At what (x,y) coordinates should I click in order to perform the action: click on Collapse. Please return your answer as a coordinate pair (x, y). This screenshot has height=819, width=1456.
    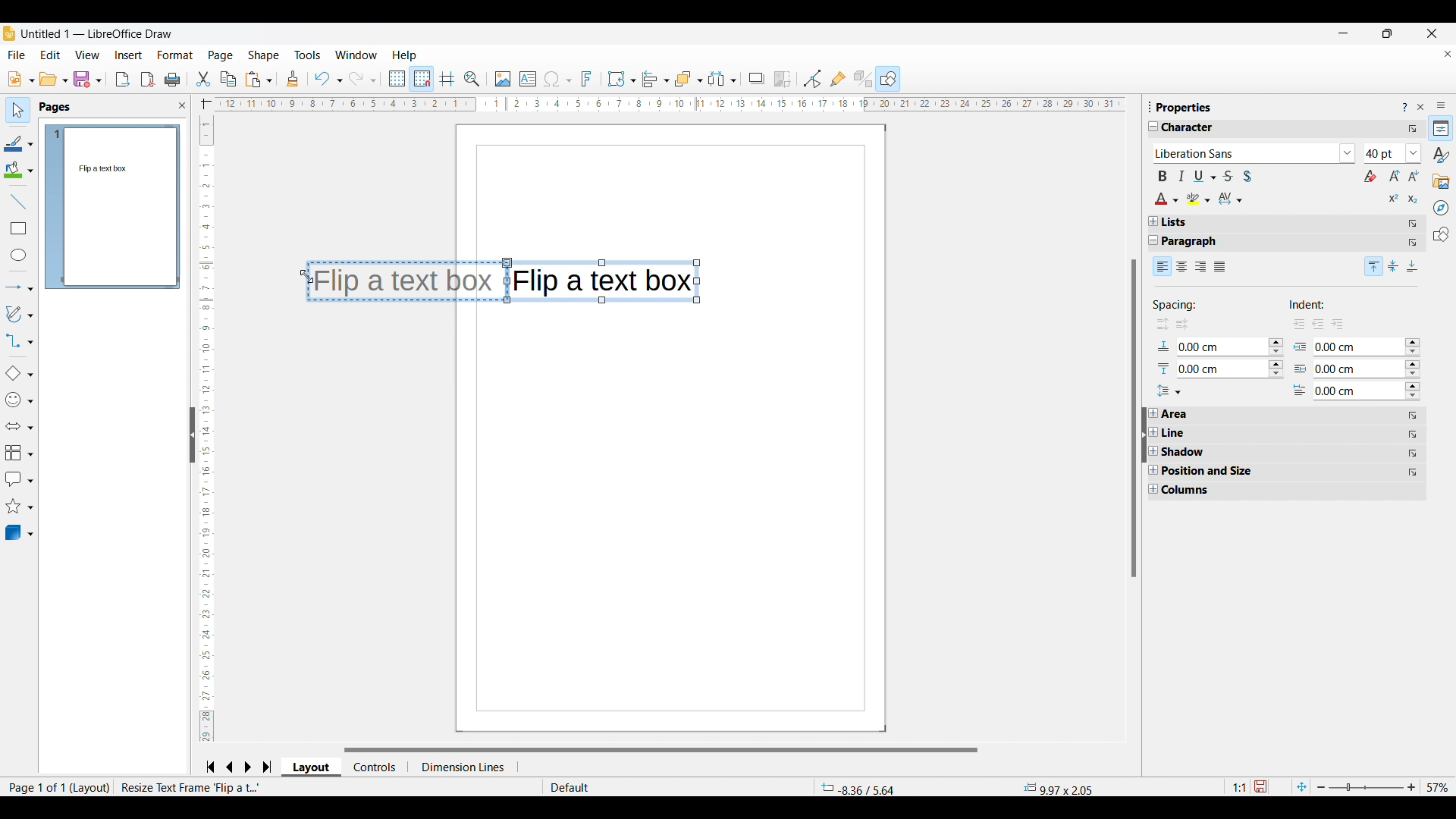
    Looking at the image, I should click on (1154, 240).